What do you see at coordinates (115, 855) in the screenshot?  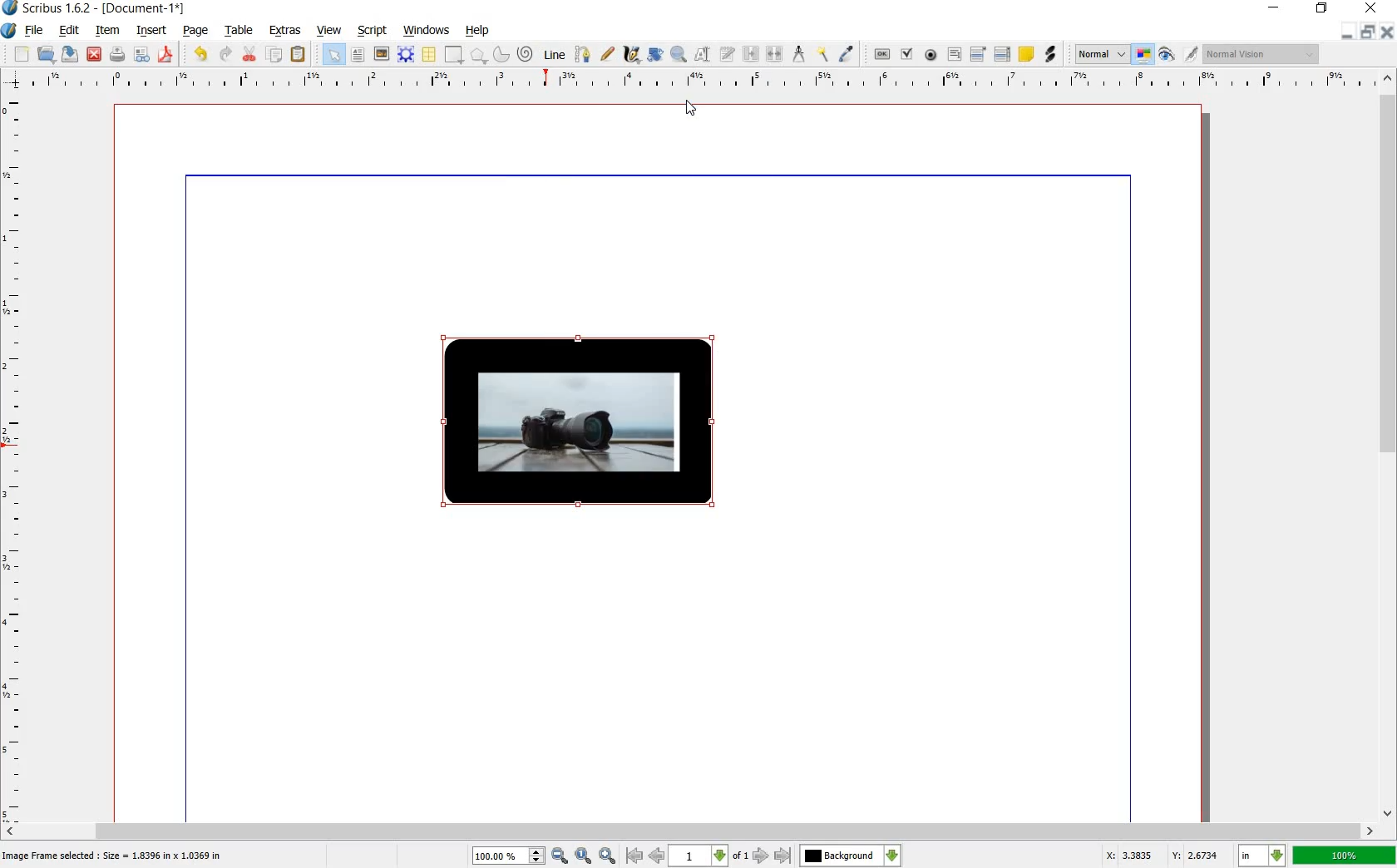 I see `Image frame selected` at bounding box center [115, 855].